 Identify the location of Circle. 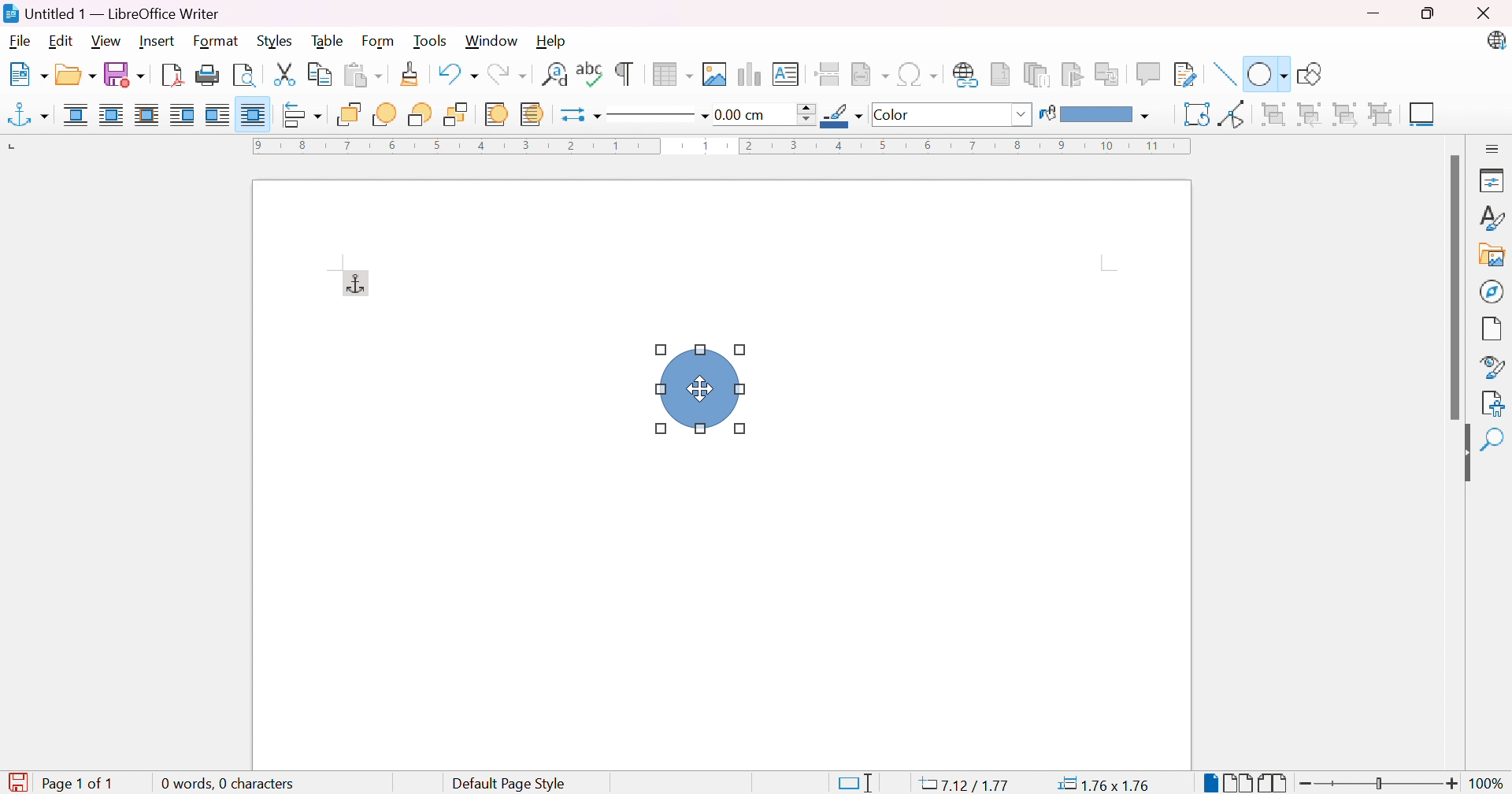
(698, 388).